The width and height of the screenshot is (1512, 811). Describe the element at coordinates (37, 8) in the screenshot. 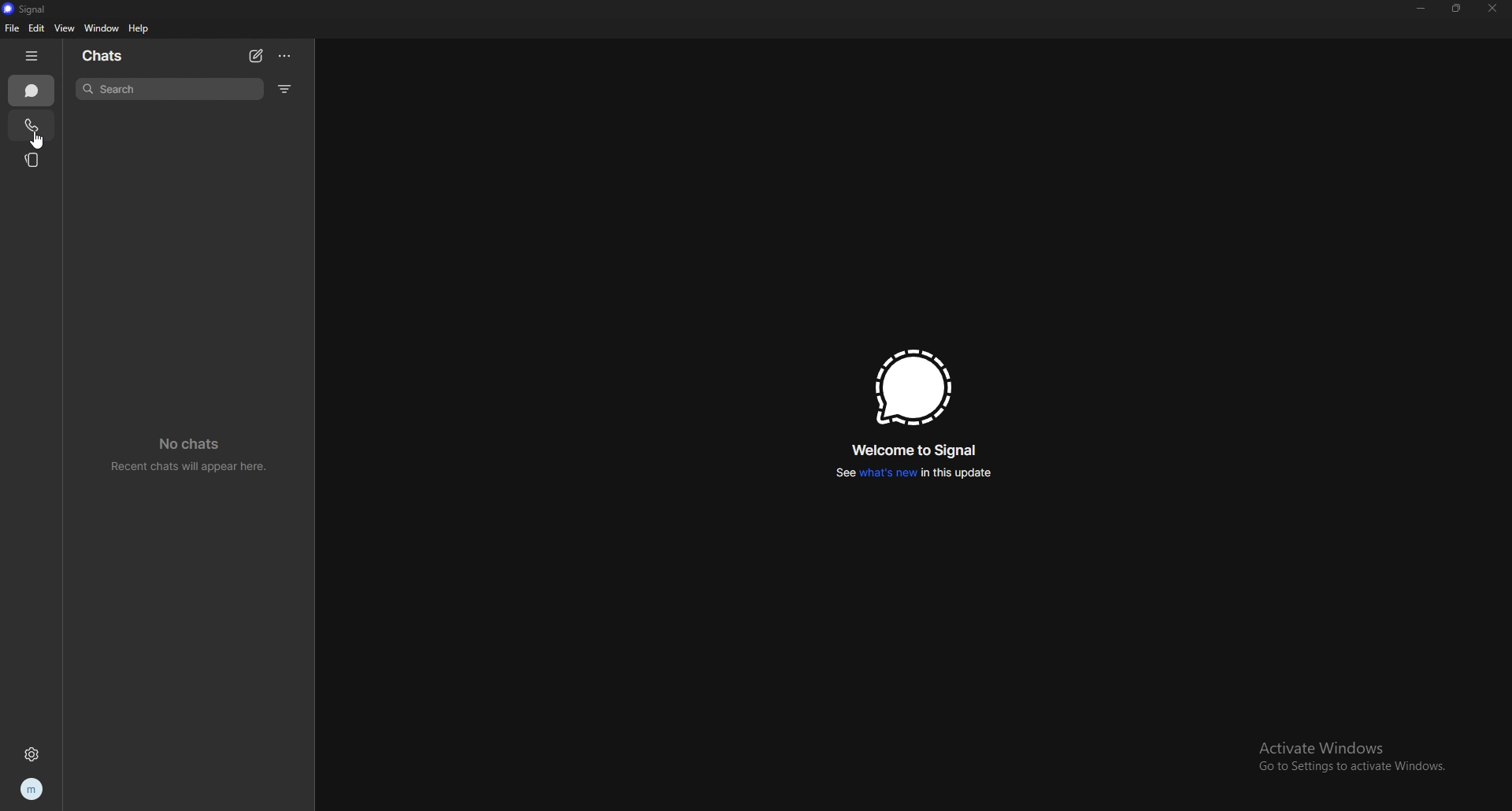

I see `signal` at that location.